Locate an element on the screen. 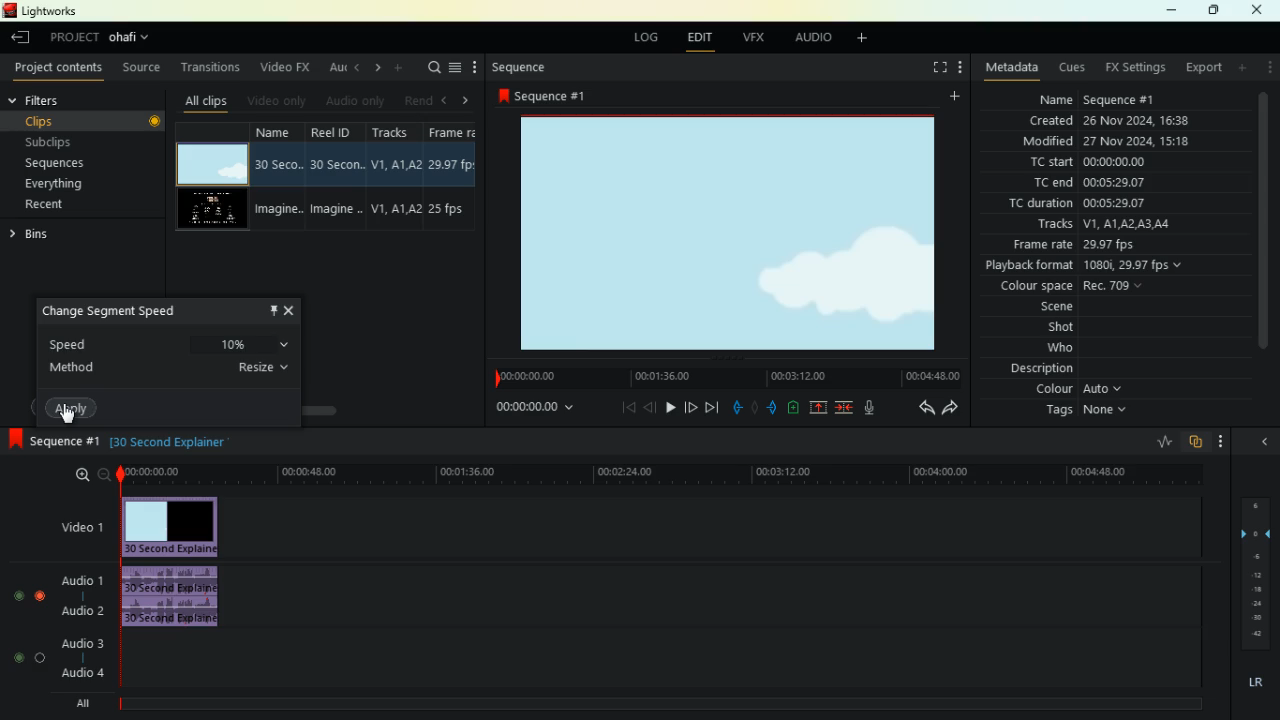 The image size is (1280, 720). video is located at coordinates (180, 526).